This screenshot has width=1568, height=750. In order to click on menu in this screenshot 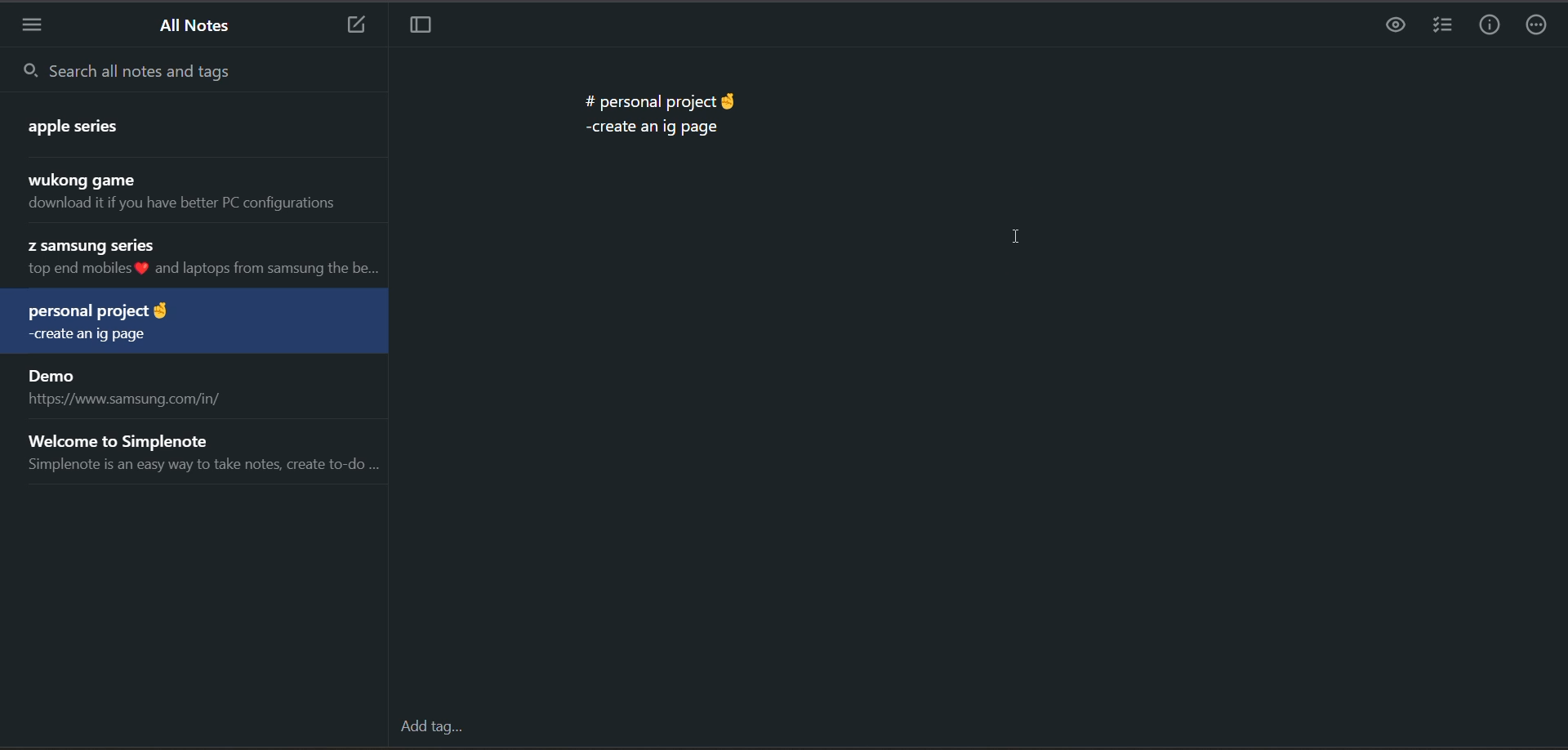, I will do `click(35, 29)`.